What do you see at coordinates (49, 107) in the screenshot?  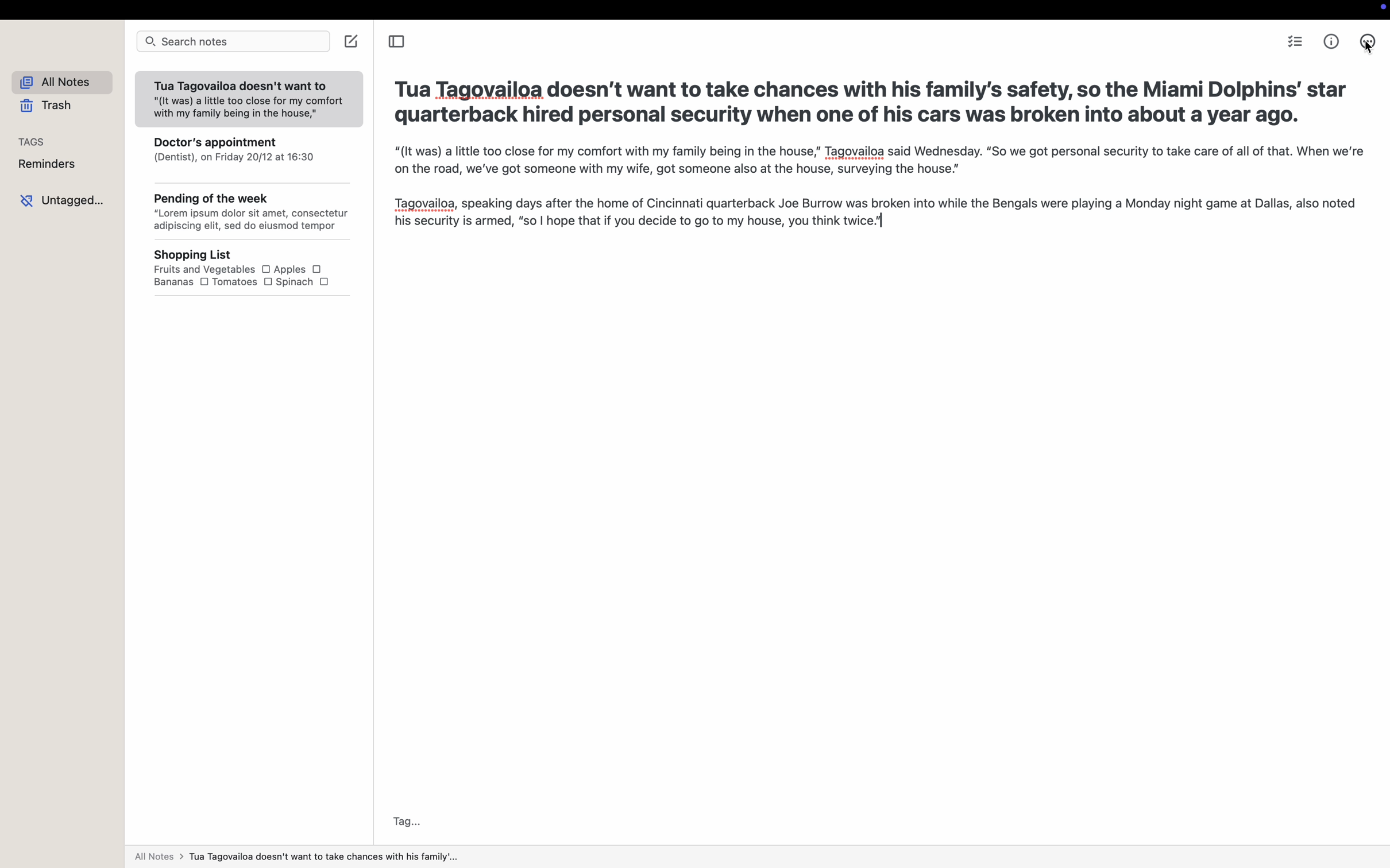 I see `trash` at bounding box center [49, 107].